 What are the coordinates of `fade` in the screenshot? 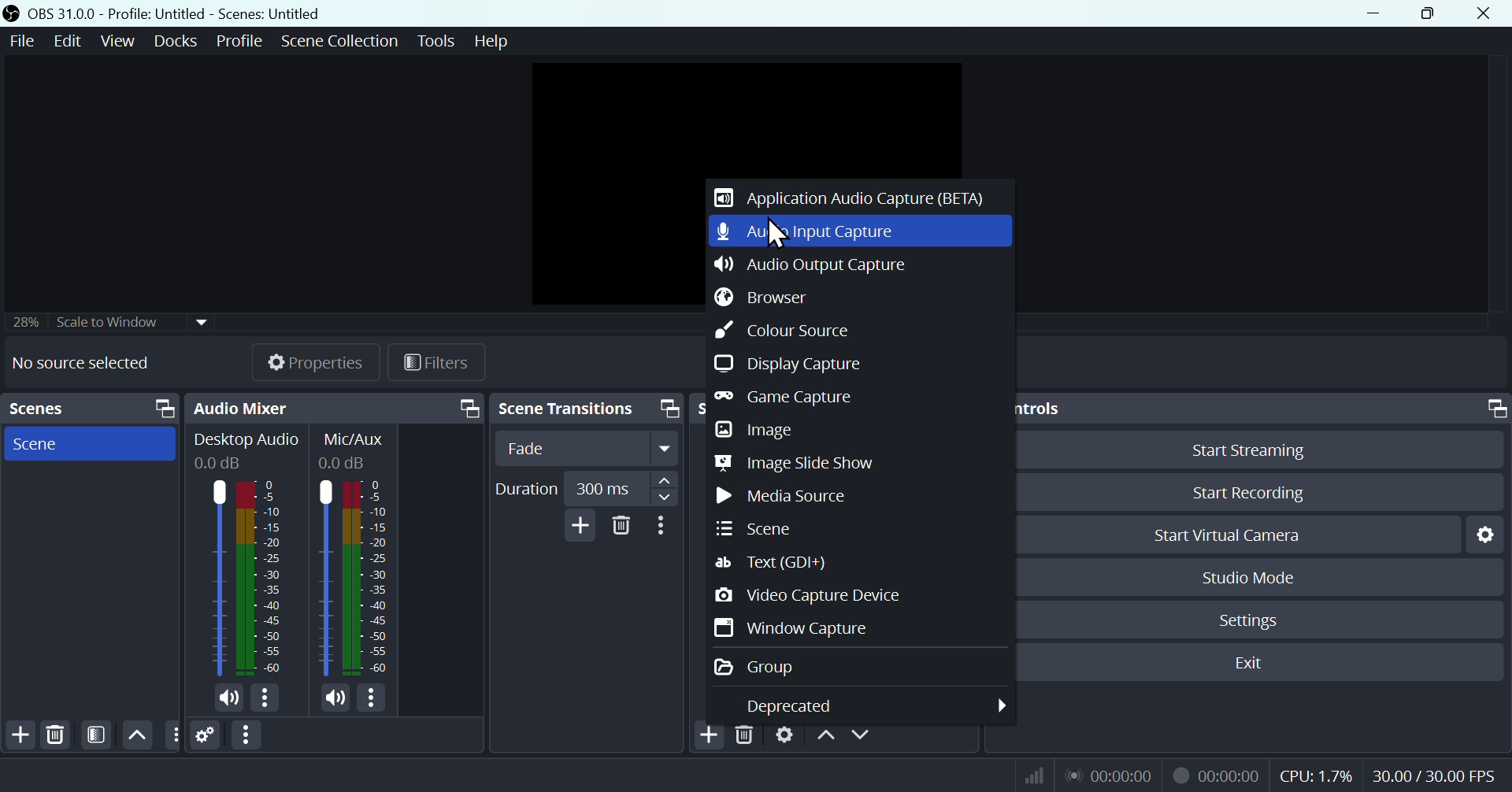 It's located at (588, 449).